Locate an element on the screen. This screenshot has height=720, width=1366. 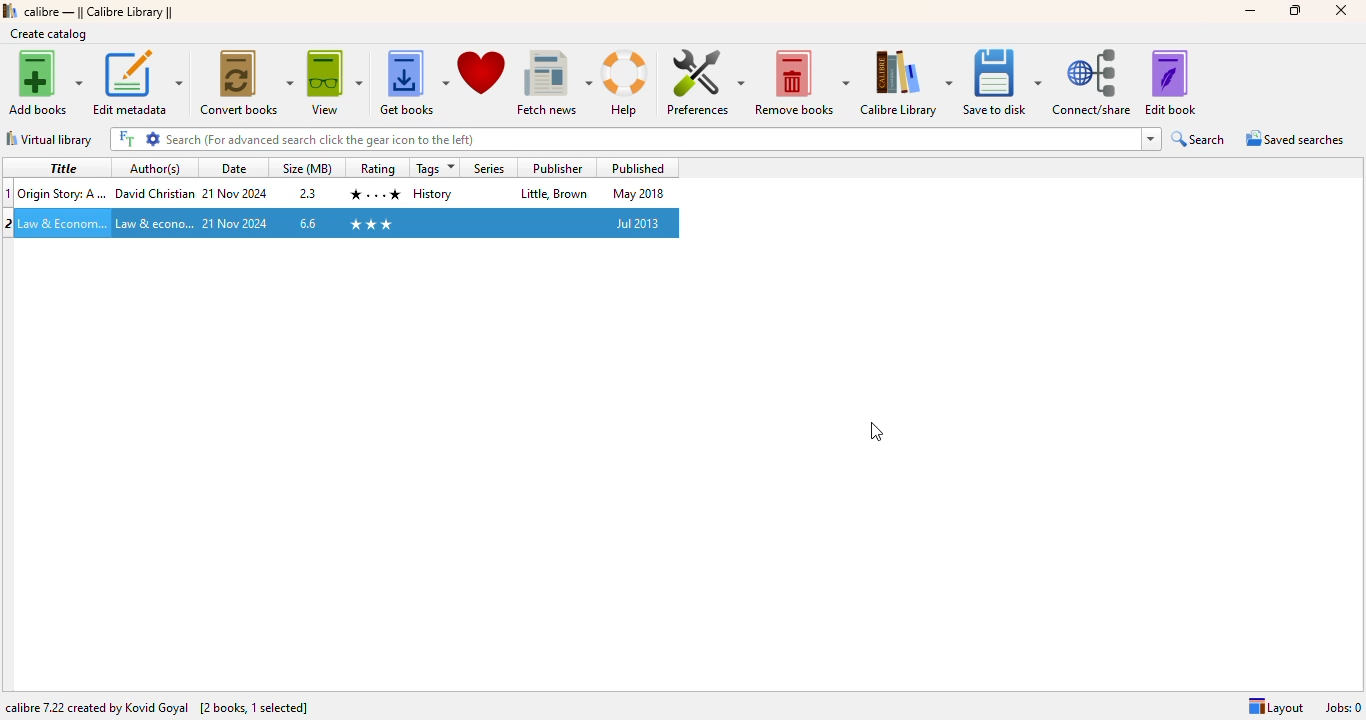
2.3 mbs is located at coordinates (309, 193).